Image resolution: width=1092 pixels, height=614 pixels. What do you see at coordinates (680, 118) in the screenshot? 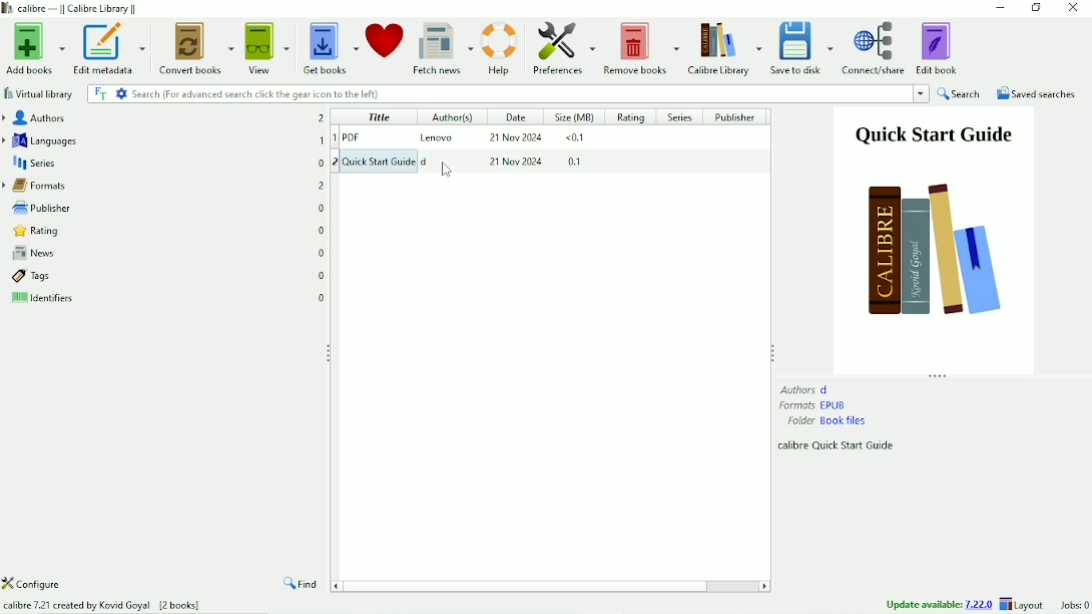
I see `Series` at bounding box center [680, 118].